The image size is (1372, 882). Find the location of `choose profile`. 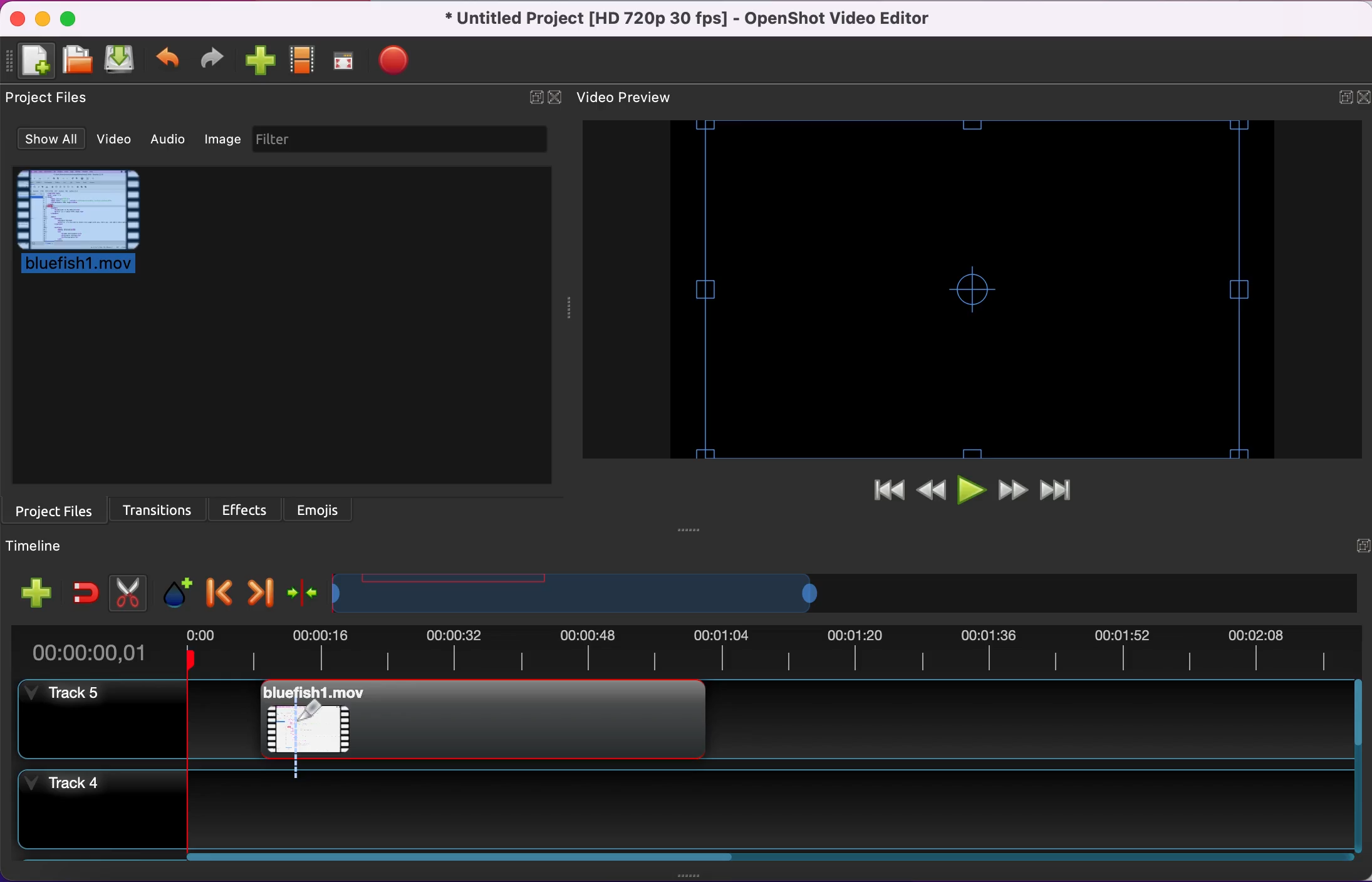

choose profile is located at coordinates (303, 58).